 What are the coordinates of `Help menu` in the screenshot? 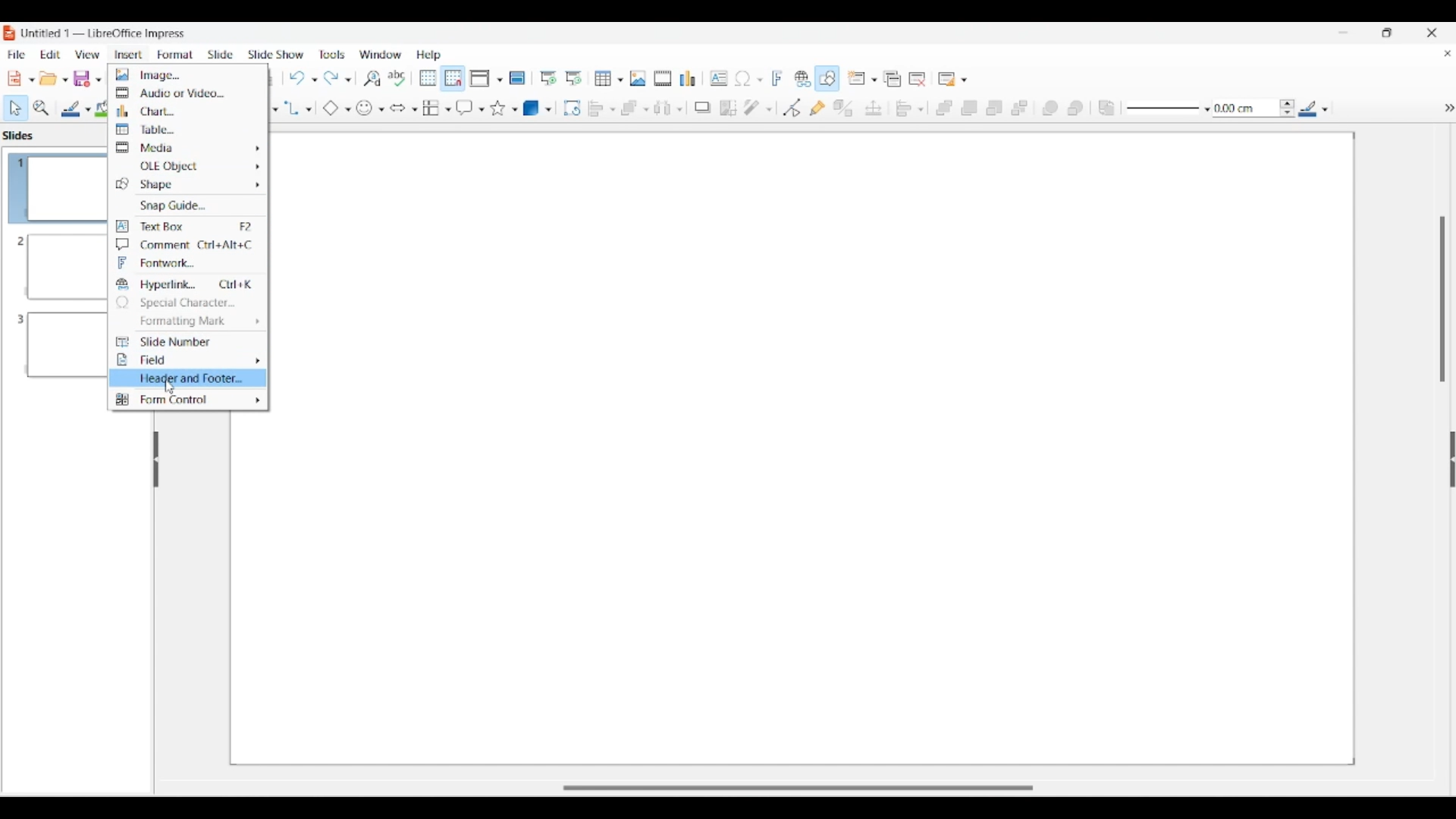 It's located at (429, 55).